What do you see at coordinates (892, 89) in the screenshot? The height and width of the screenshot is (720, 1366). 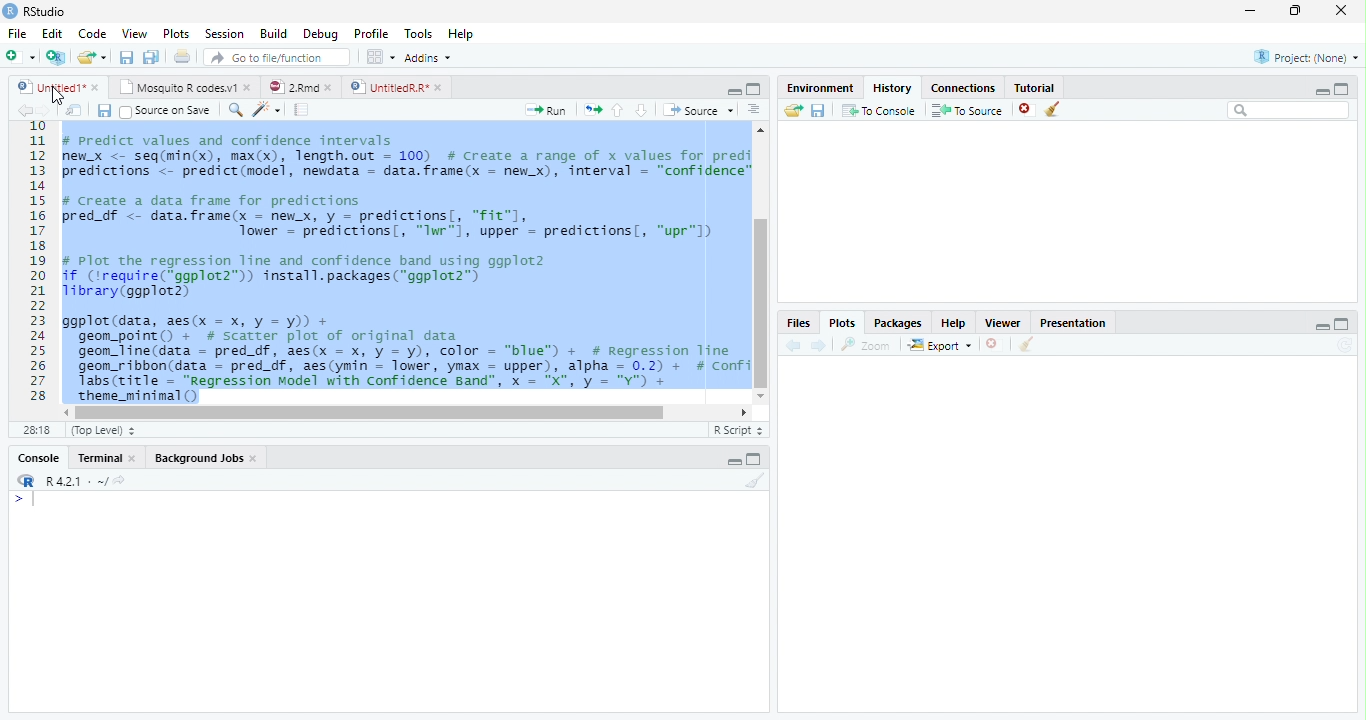 I see `History` at bounding box center [892, 89].